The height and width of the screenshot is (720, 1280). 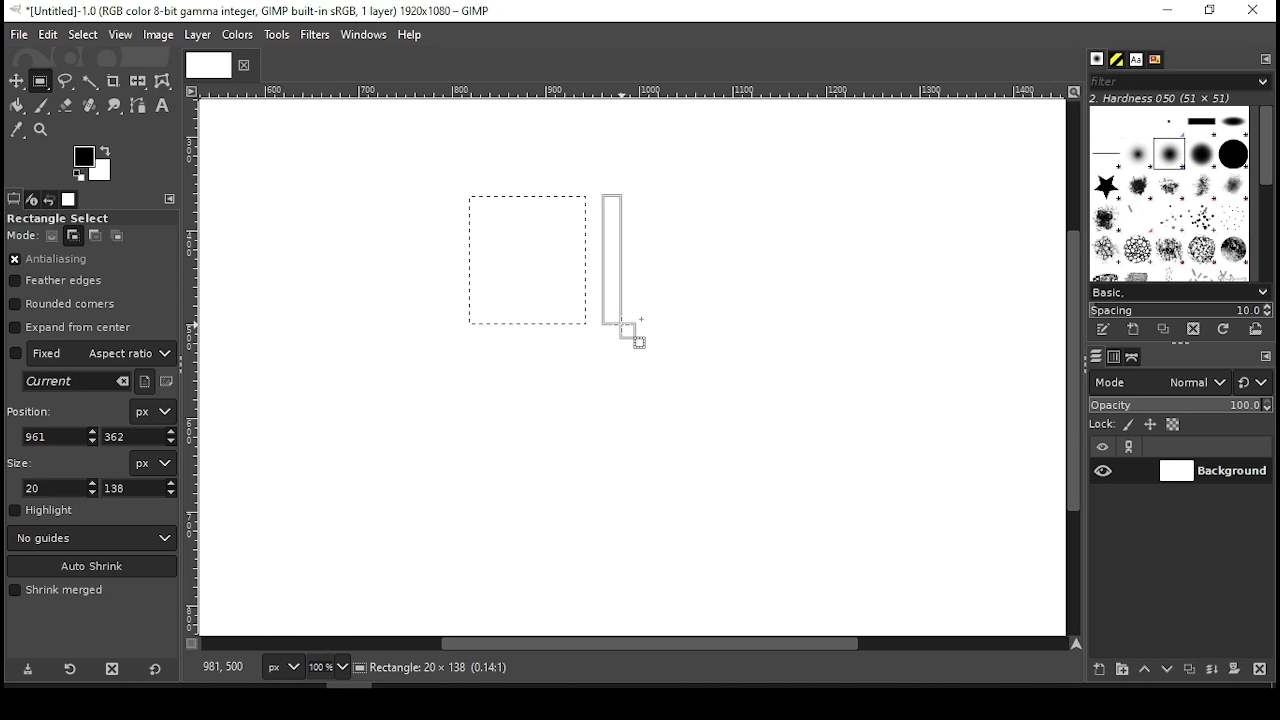 I want to click on height, so click(x=140, y=488).